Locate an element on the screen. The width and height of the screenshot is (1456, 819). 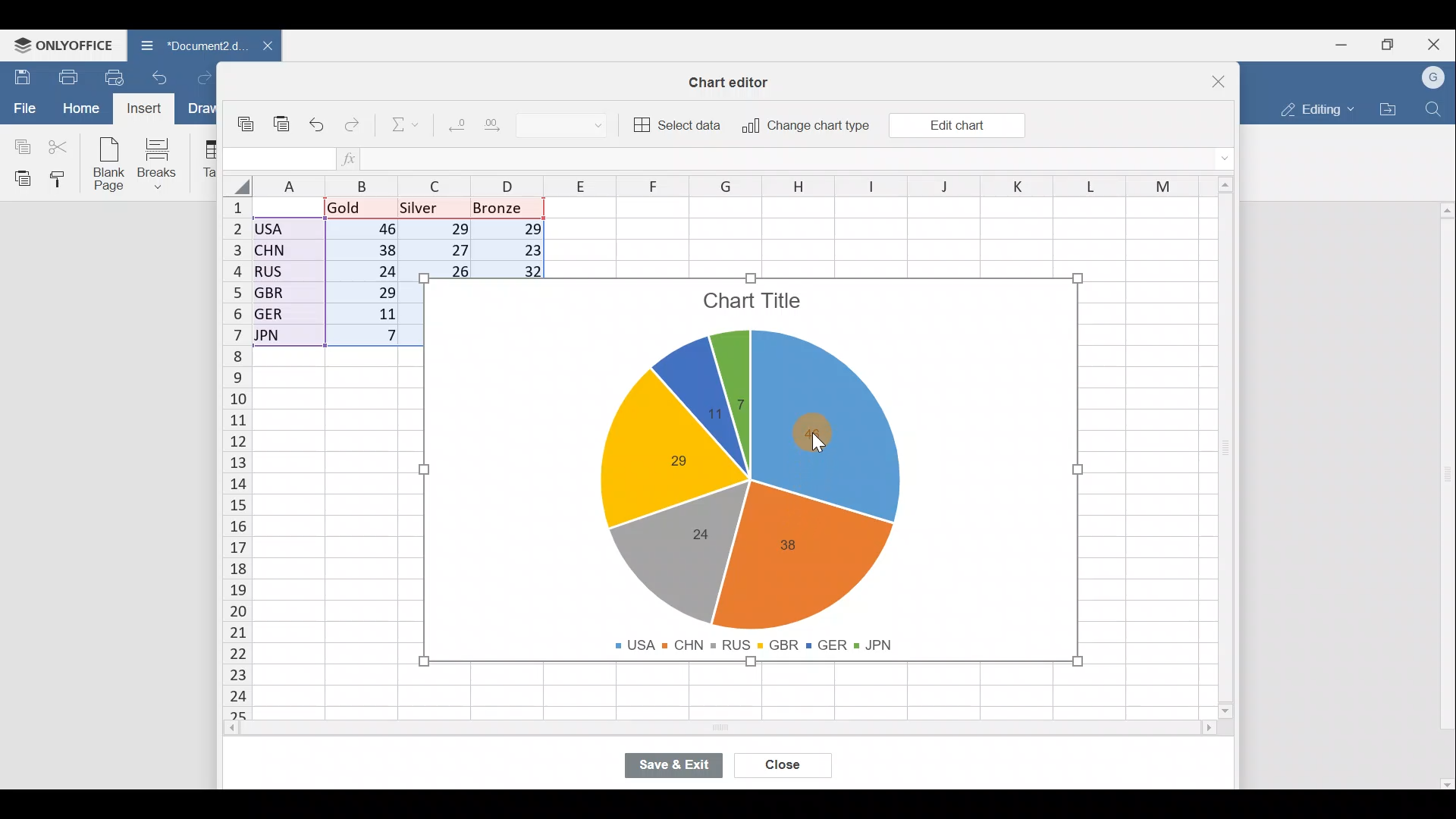
Chart label is located at coordinates (708, 419).